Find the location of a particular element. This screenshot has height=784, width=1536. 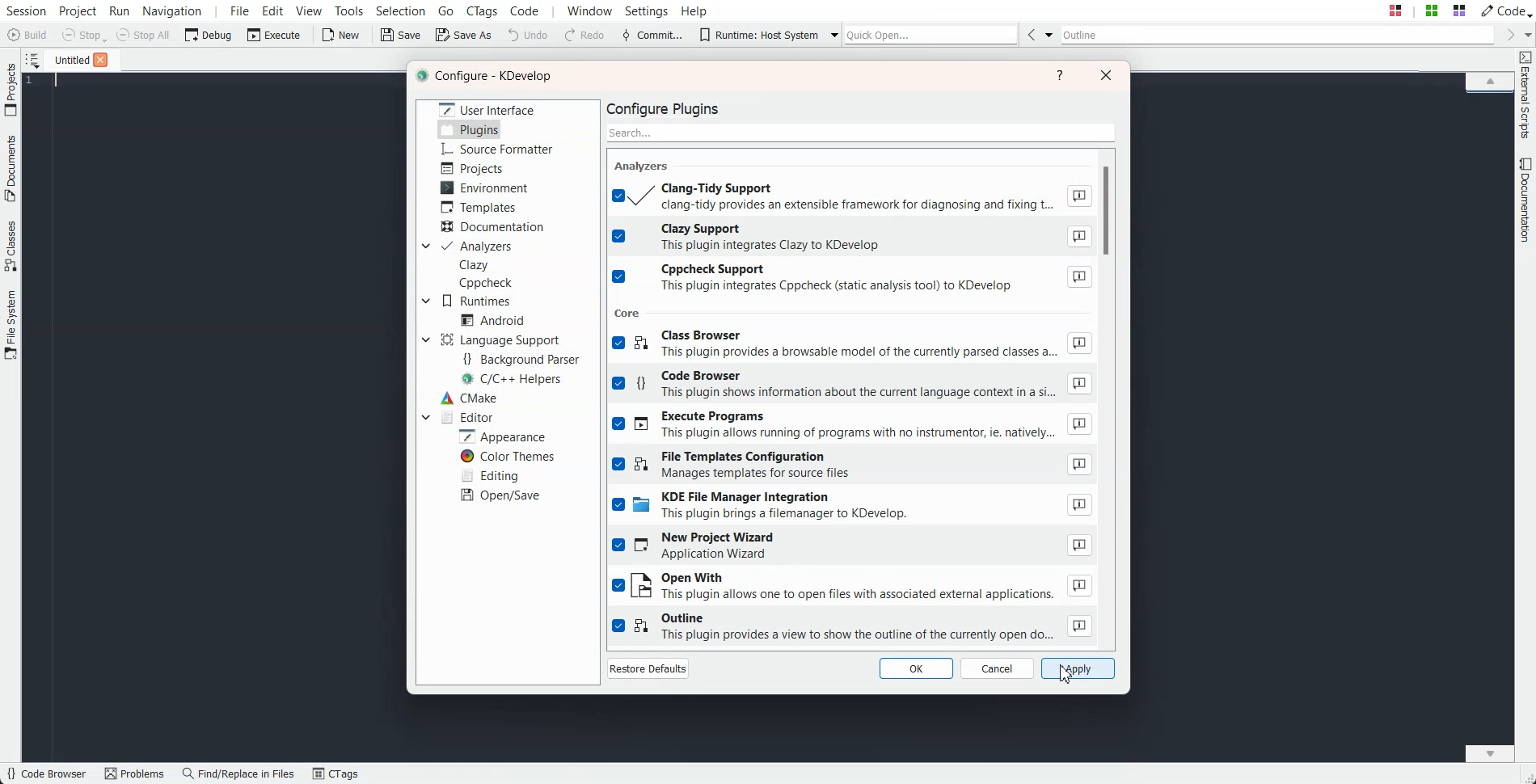

Text is located at coordinates (644, 165).